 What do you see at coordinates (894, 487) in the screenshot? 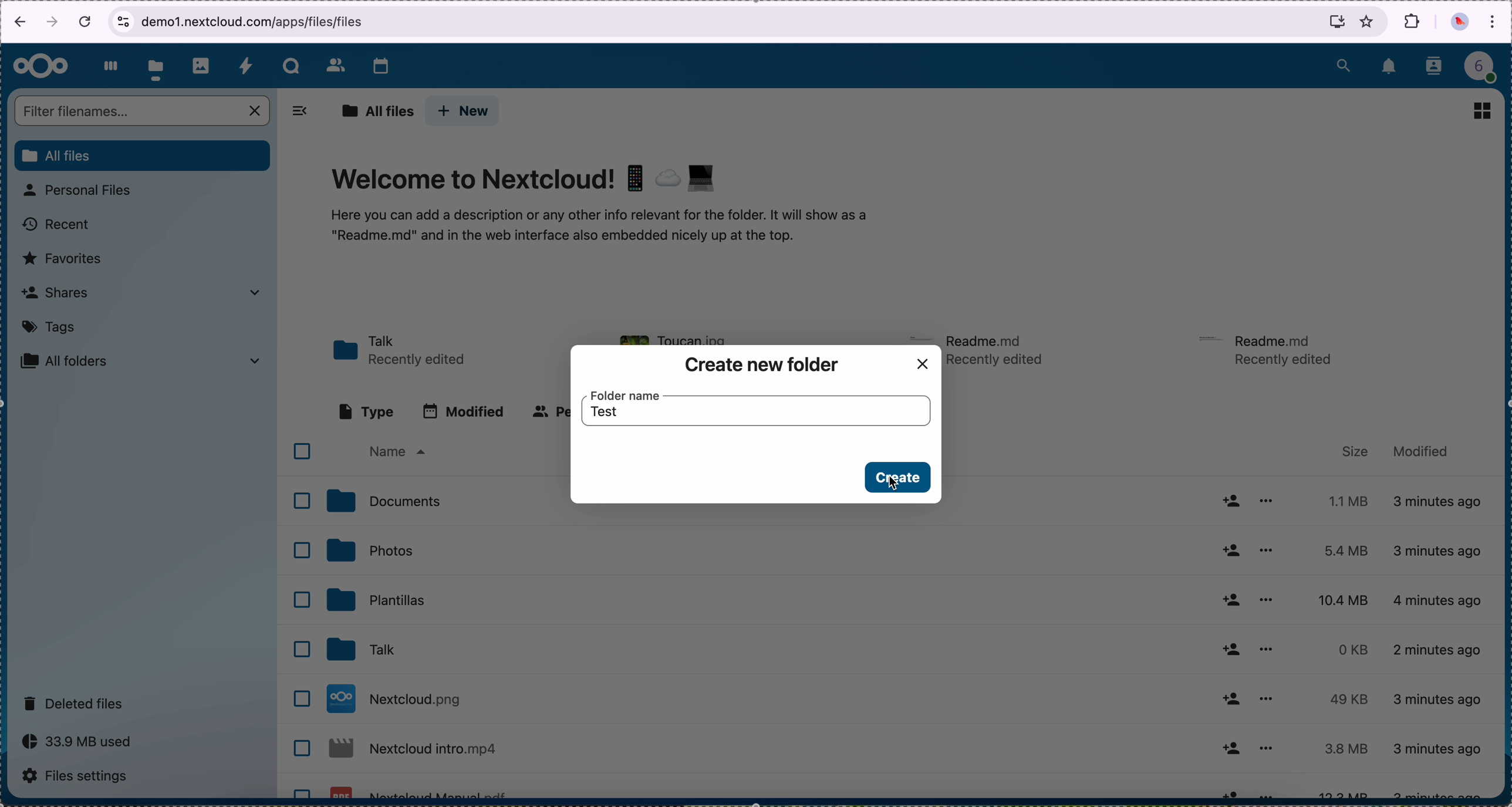
I see `cursor` at bounding box center [894, 487].